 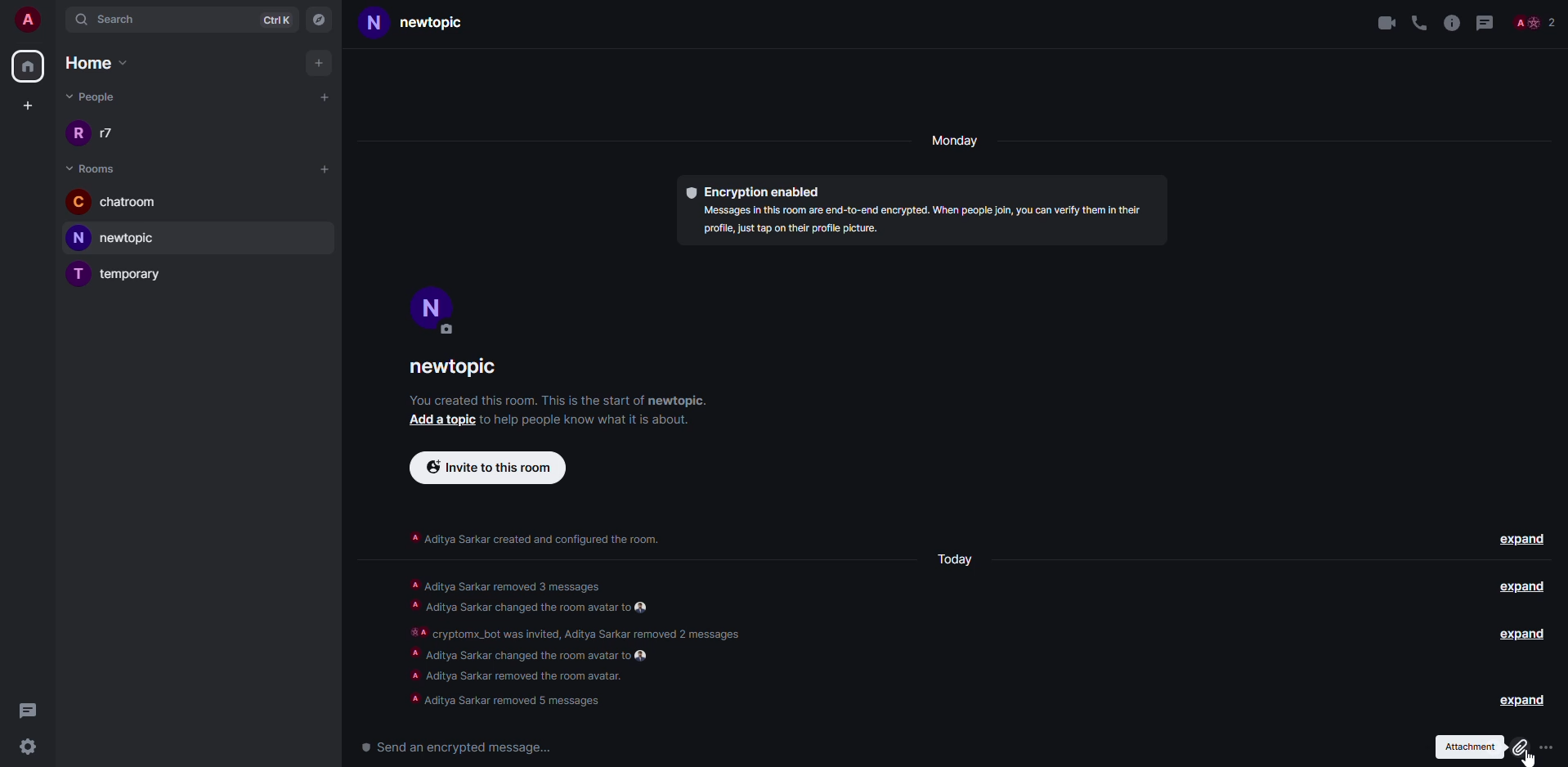 I want to click on people, so click(x=96, y=97).